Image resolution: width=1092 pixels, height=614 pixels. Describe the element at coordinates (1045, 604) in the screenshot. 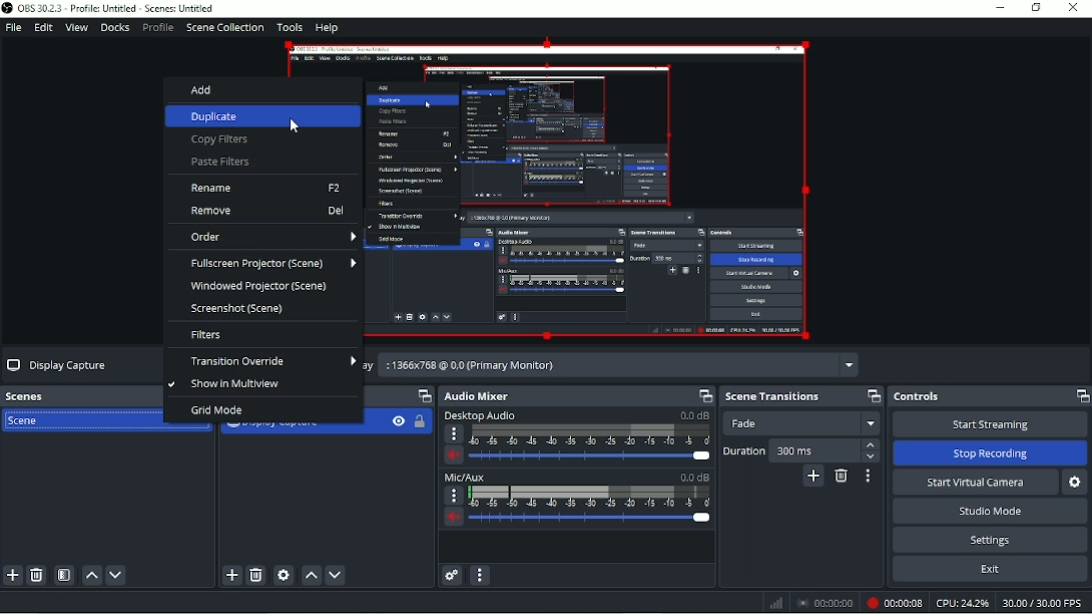

I see `30.00/30.00 FPS` at that location.